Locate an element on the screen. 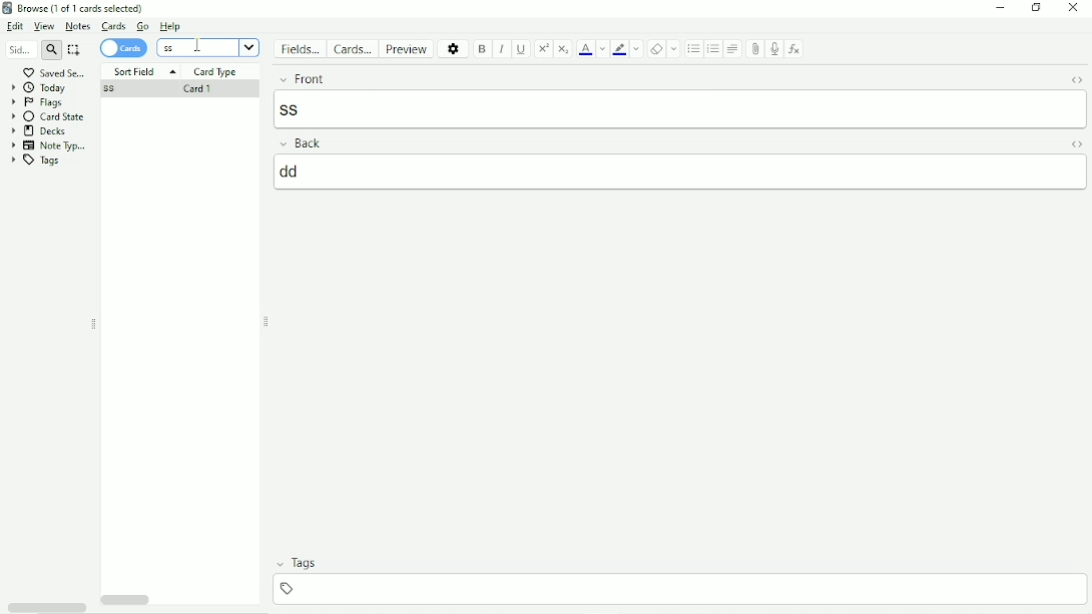 The image size is (1092, 614). Saved search is located at coordinates (53, 73).